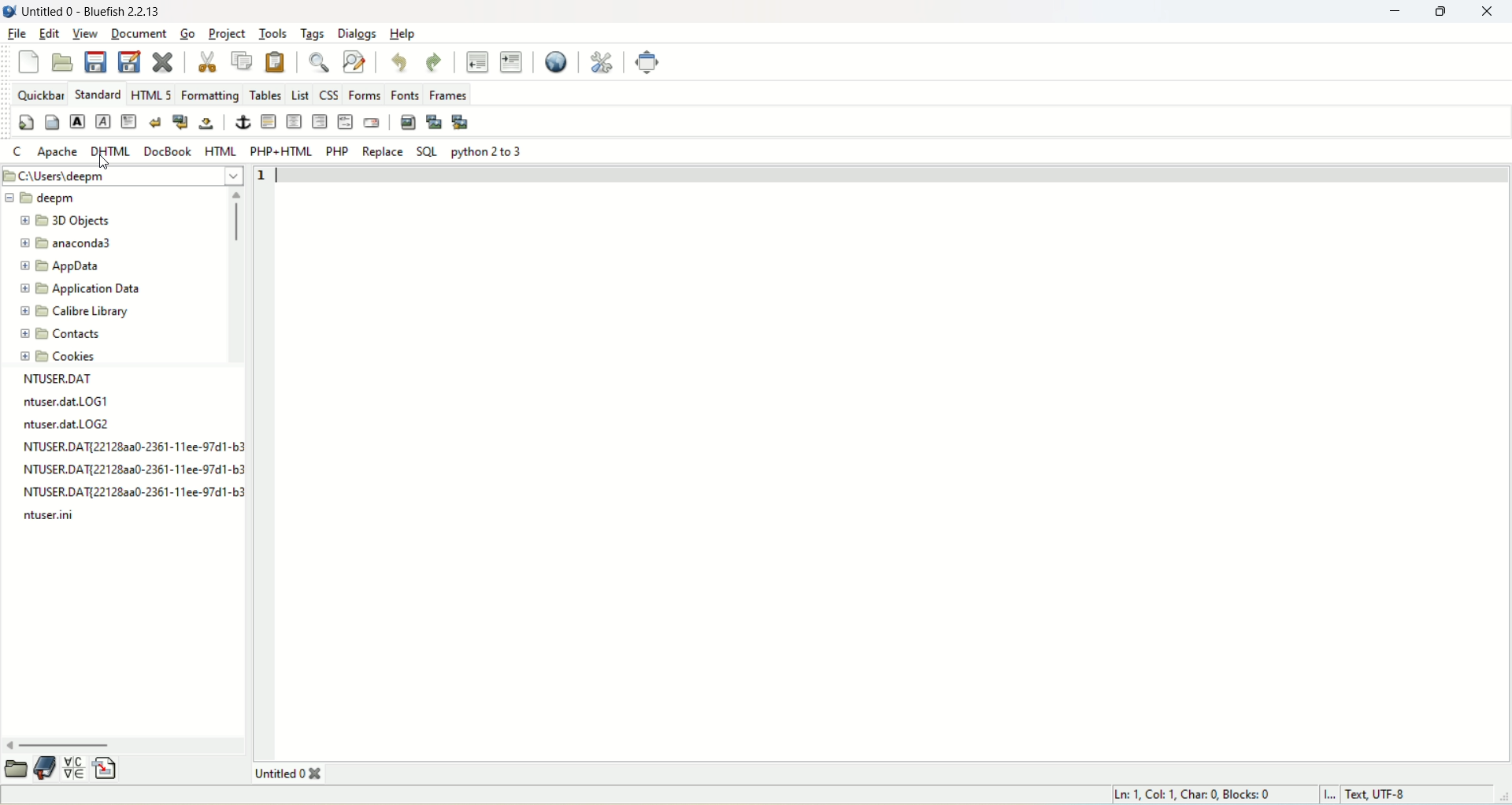  What do you see at coordinates (1490, 13) in the screenshot?
I see `close` at bounding box center [1490, 13].